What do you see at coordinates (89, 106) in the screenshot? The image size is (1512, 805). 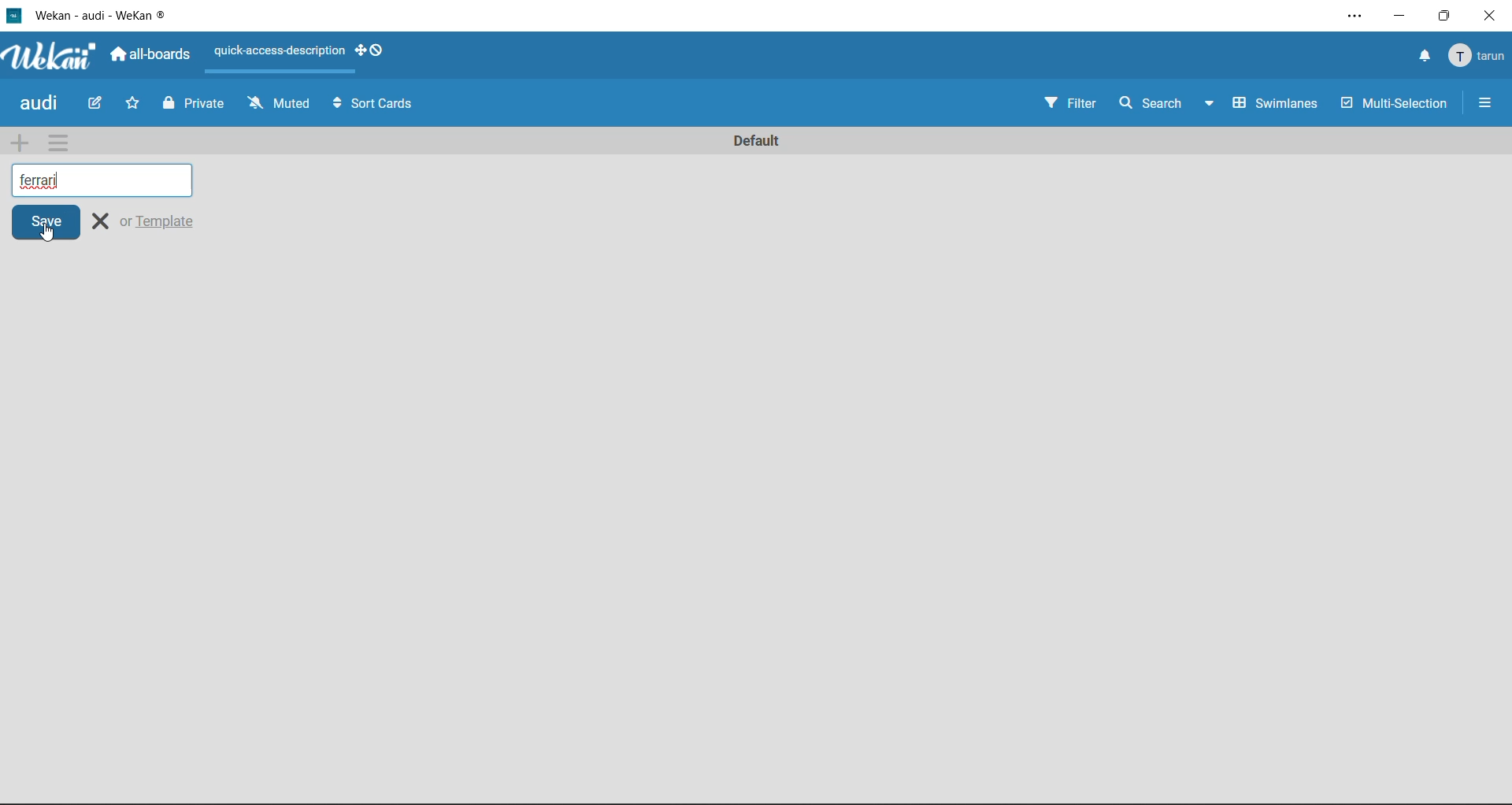 I see `edit` at bounding box center [89, 106].